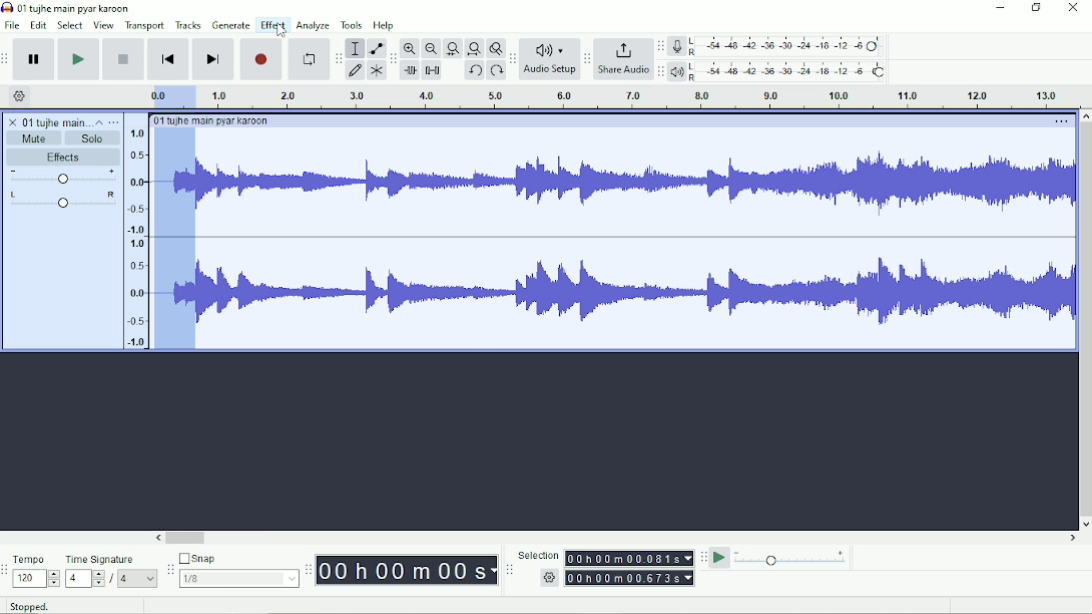 This screenshot has height=614, width=1092. I want to click on cancel logo, so click(14, 122).